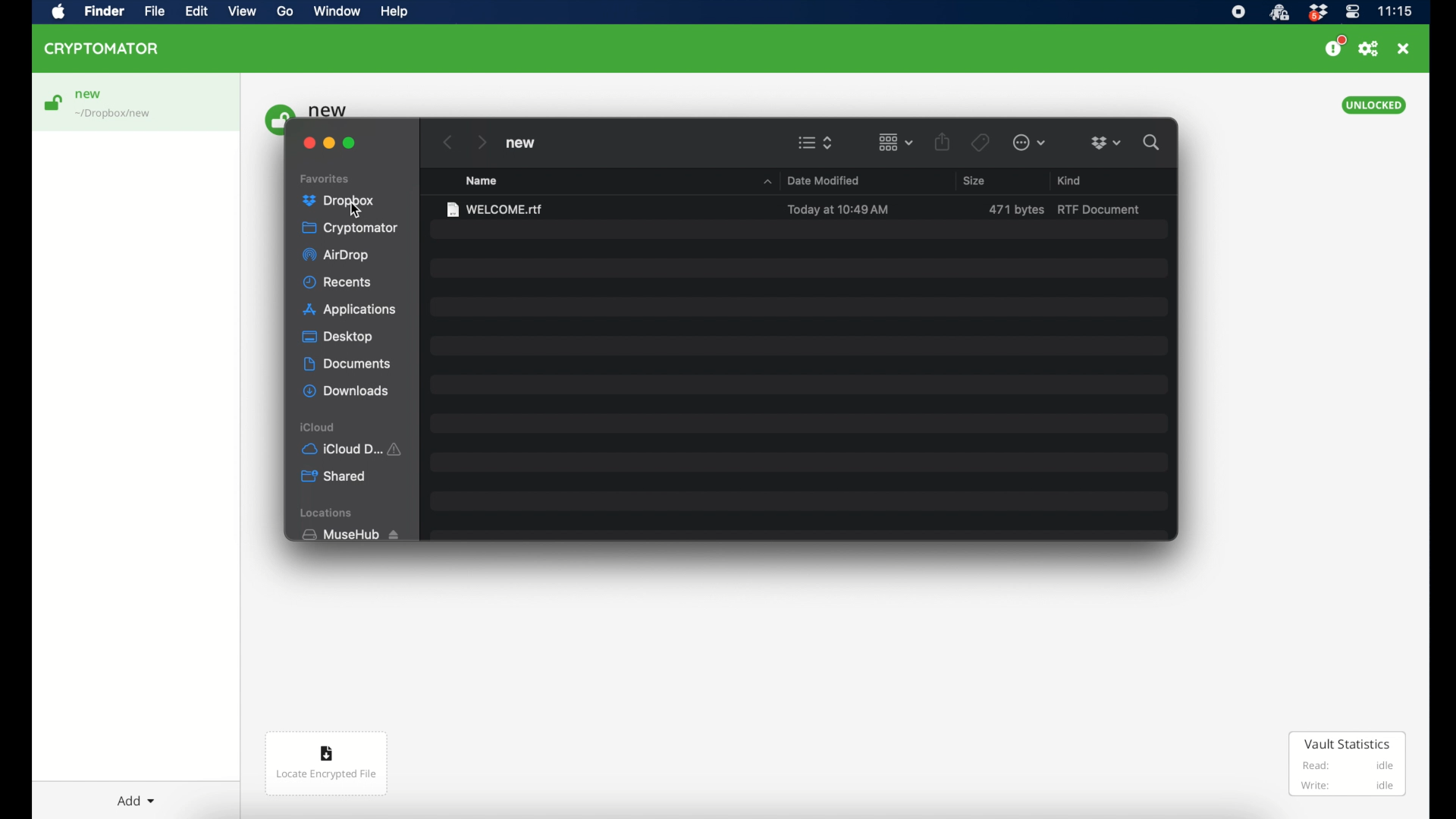 Image resolution: width=1456 pixels, height=819 pixels. I want to click on rtf document, so click(1101, 210).